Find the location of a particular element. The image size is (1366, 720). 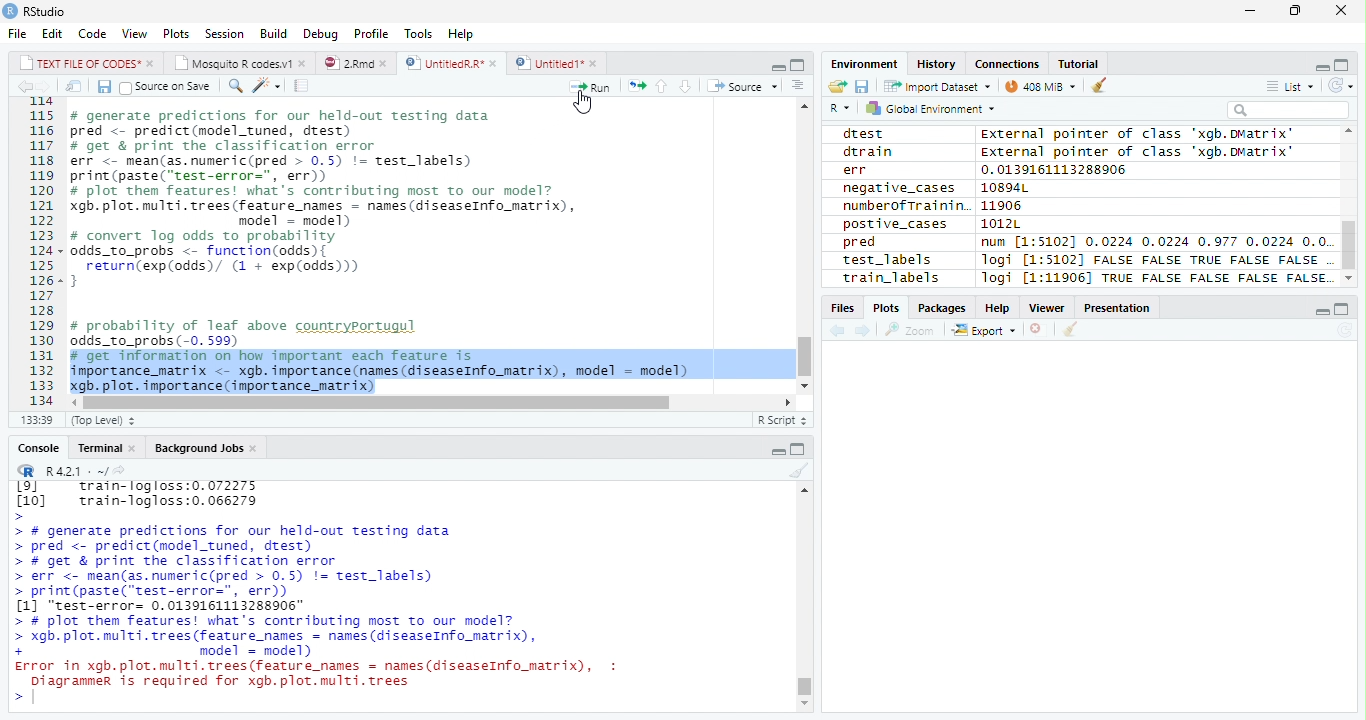

0.0139161113288906 is located at coordinates (1057, 169).